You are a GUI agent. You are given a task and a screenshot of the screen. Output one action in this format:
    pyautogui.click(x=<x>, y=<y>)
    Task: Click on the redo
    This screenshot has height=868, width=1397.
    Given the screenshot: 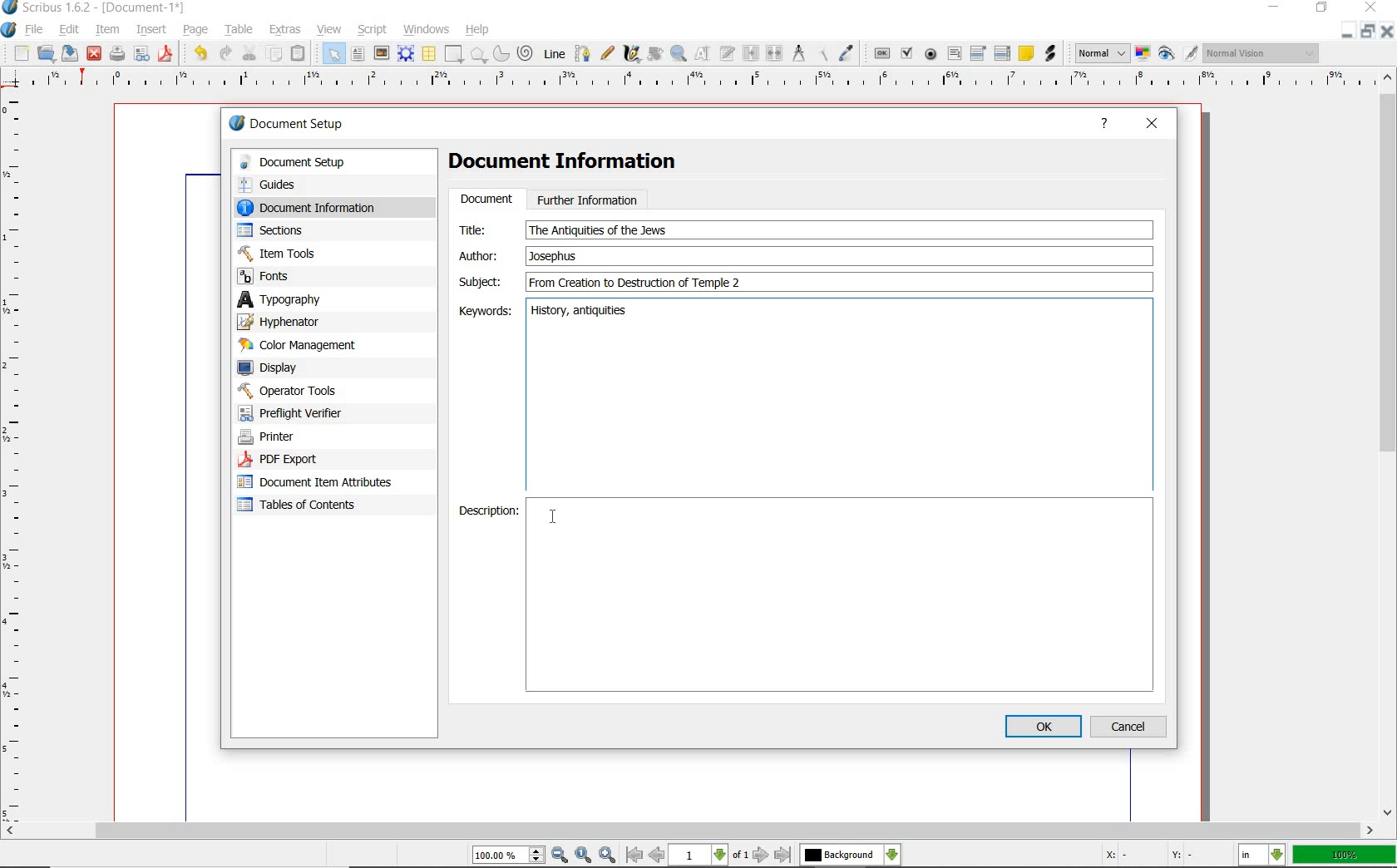 What is the action you would take?
    pyautogui.click(x=227, y=54)
    